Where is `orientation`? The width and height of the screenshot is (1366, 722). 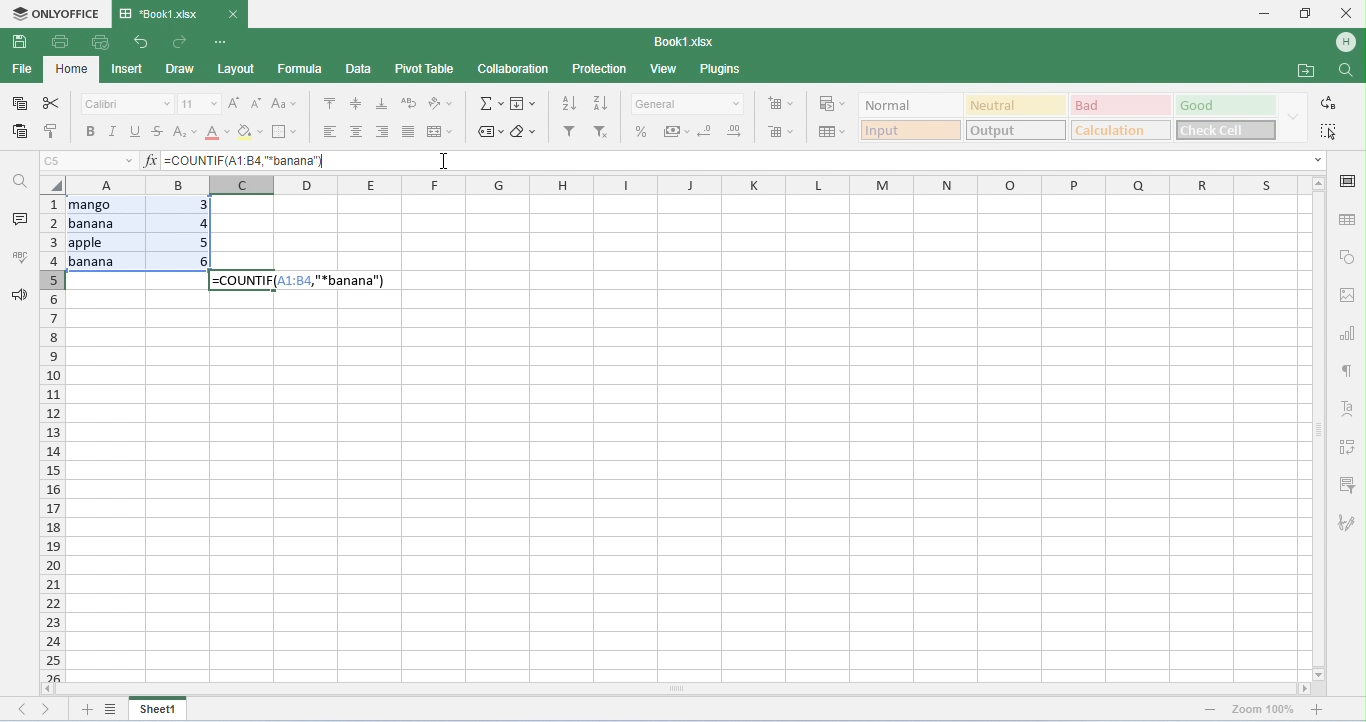
orientation is located at coordinates (442, 105).